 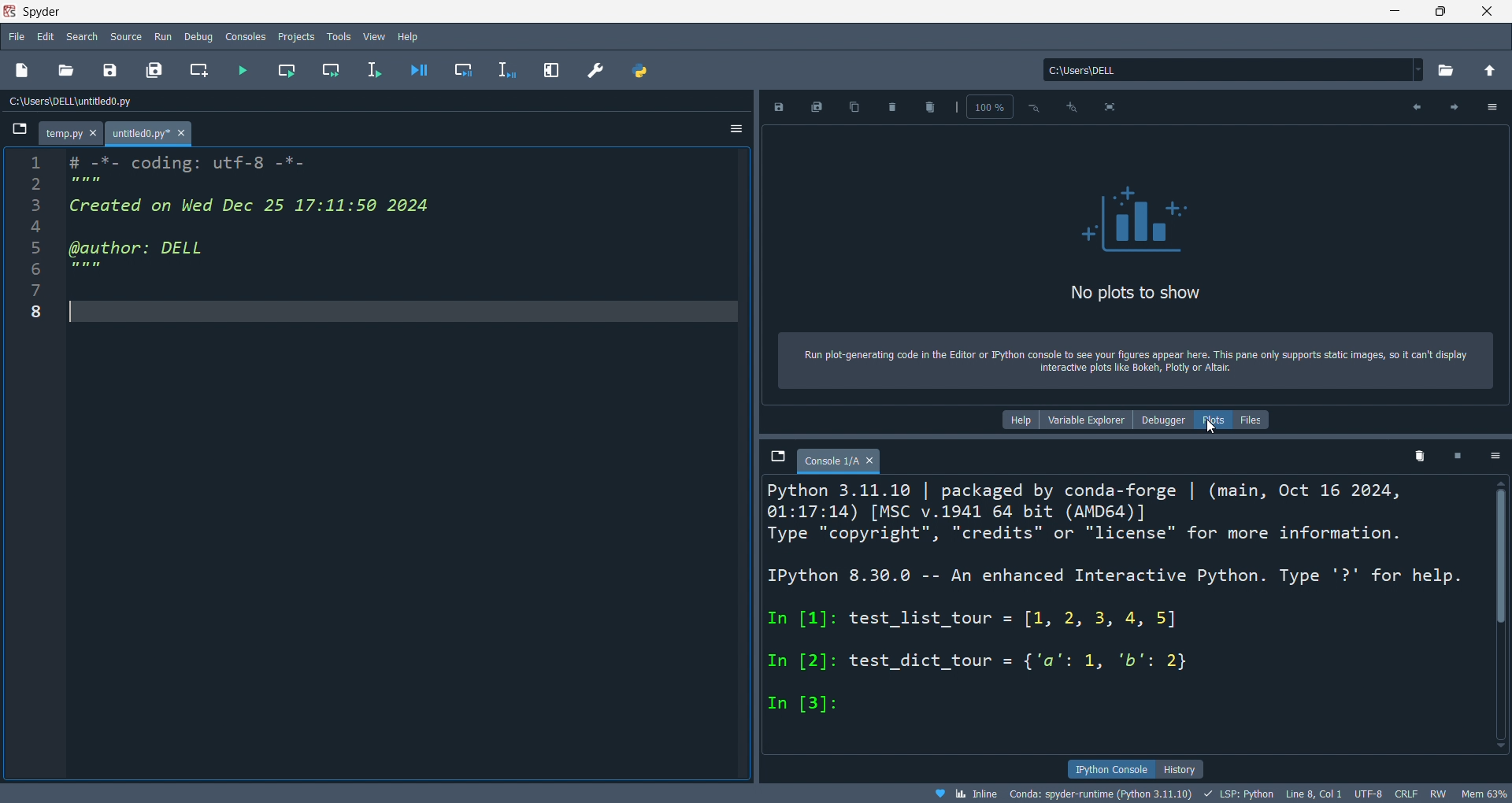 I want to click on history, so click(x=1178, y=768).